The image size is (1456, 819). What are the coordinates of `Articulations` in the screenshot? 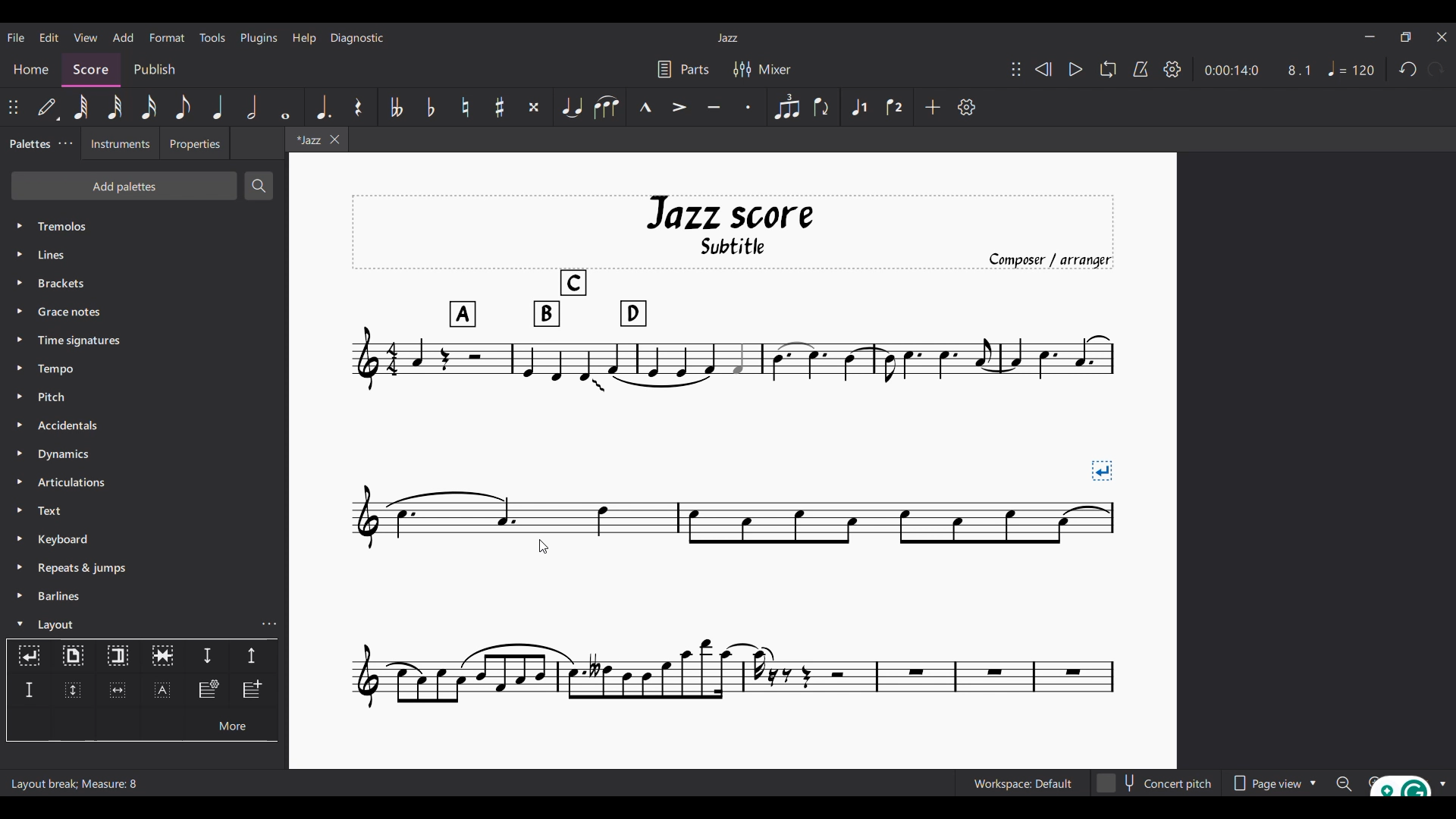 It's located at (144, 482).